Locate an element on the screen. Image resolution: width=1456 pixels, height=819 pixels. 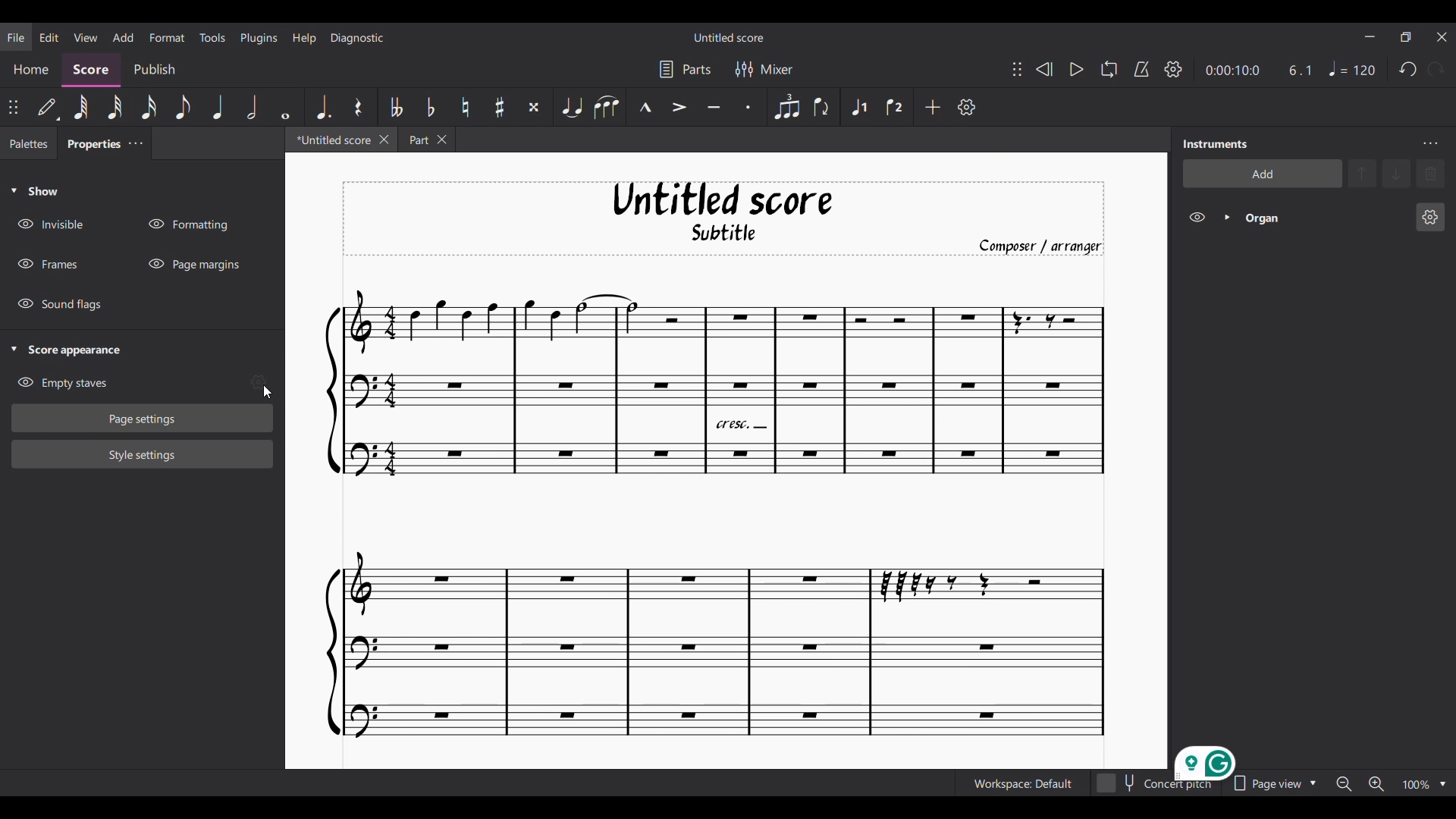
Tie is located at coordinates (571, 107).